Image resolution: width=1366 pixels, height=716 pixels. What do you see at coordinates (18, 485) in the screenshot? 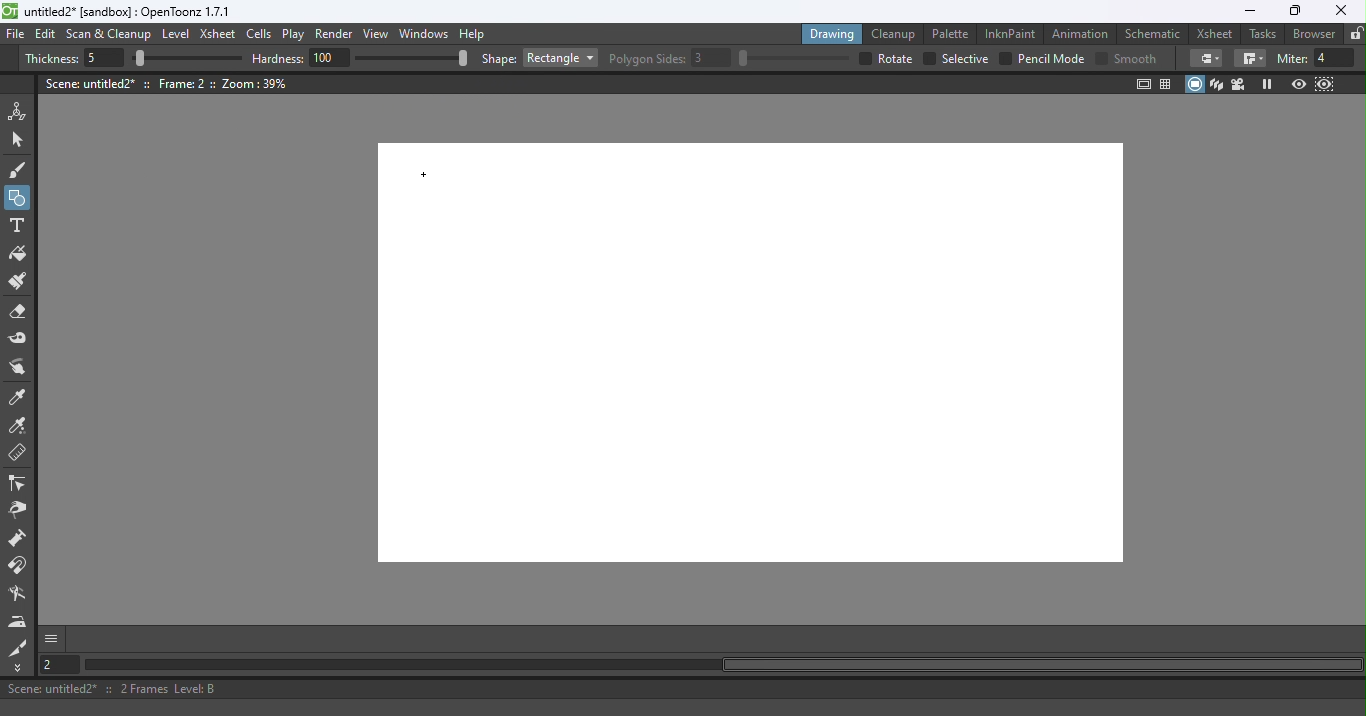
I see `Control point editor tool` at bounding box center [18, 485].